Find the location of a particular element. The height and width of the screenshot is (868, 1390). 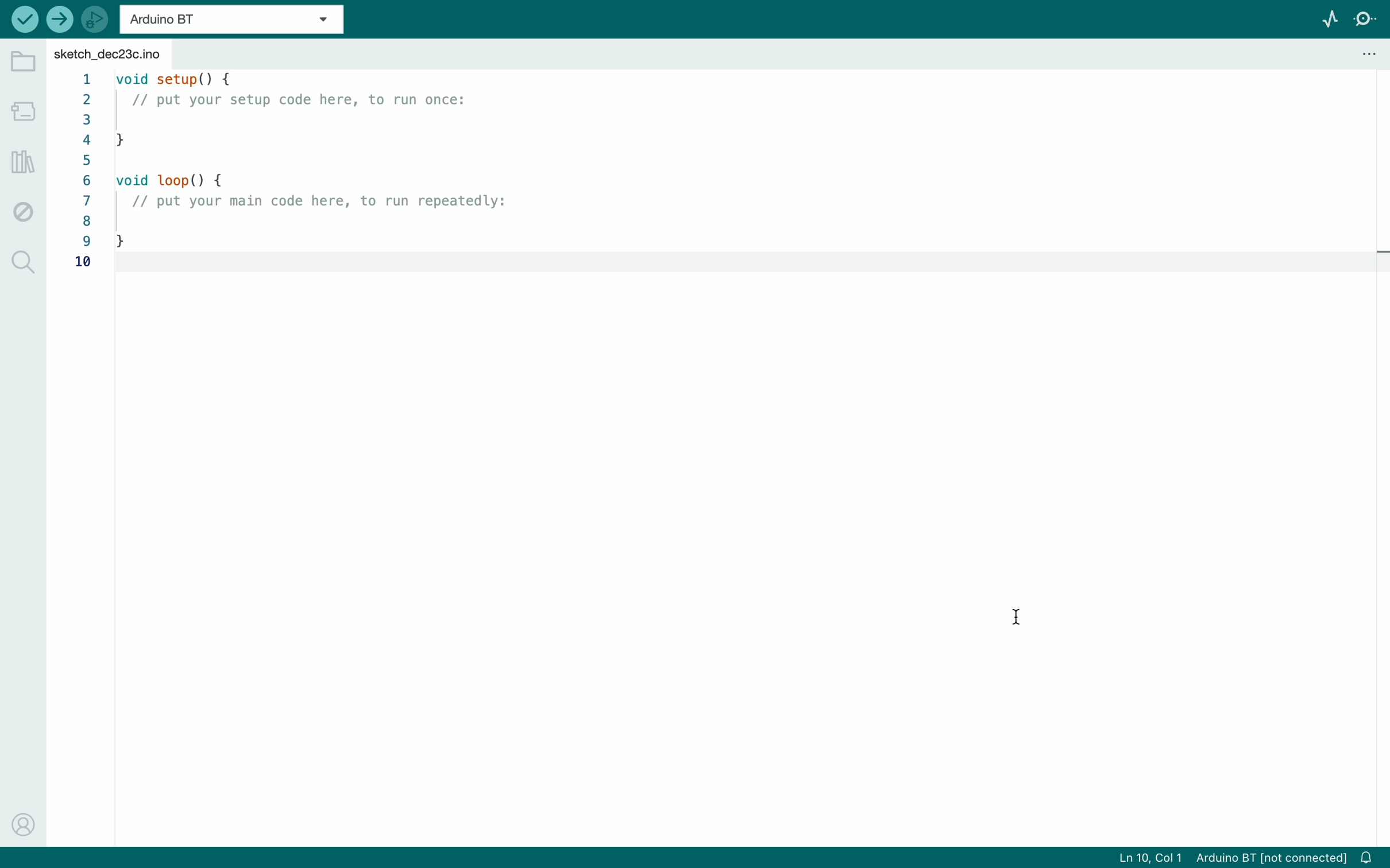

profile is located at coordinates (27, 824).